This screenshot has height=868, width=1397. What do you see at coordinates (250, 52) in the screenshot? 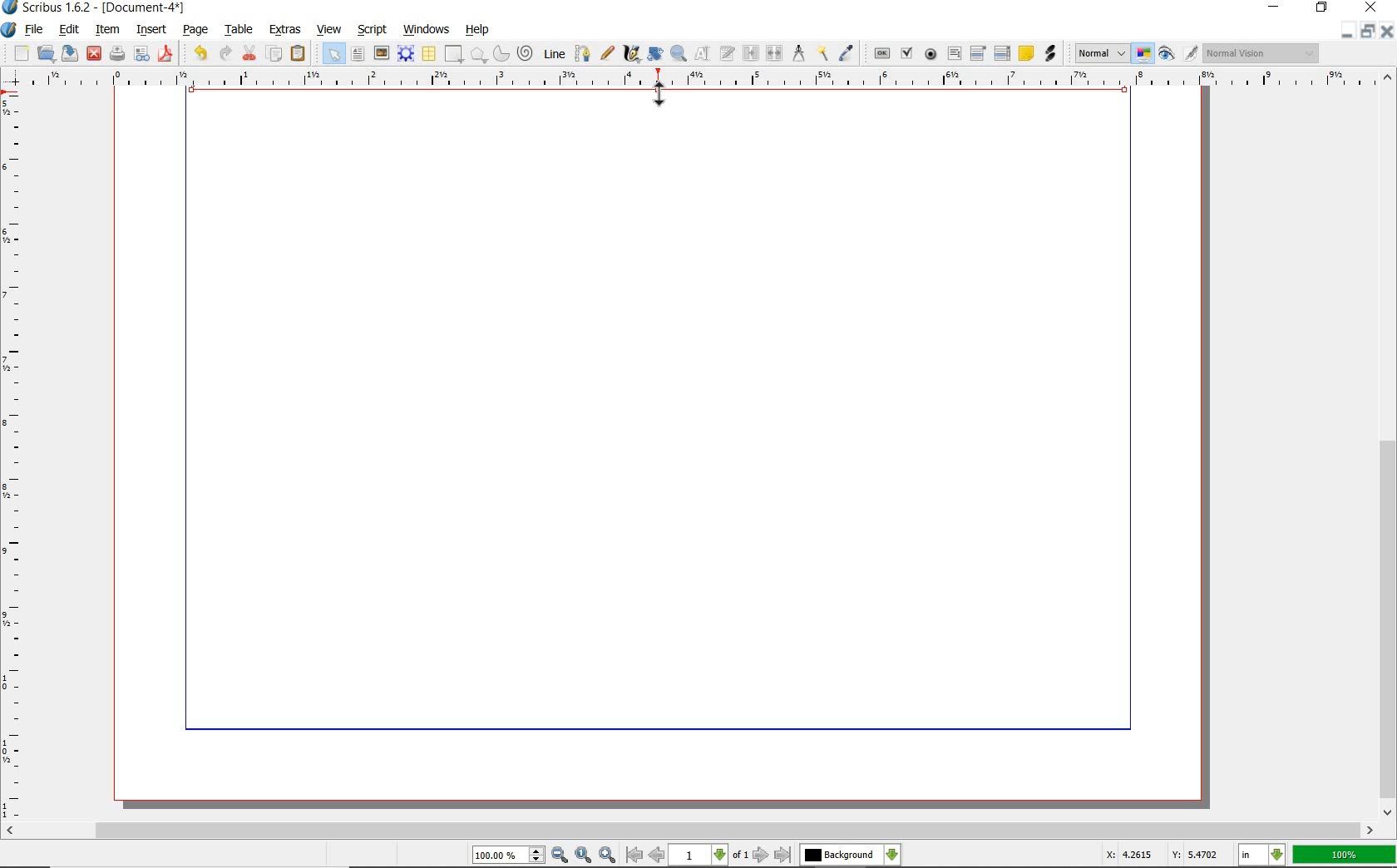
I see `cut` at bounding box center [250, 52].